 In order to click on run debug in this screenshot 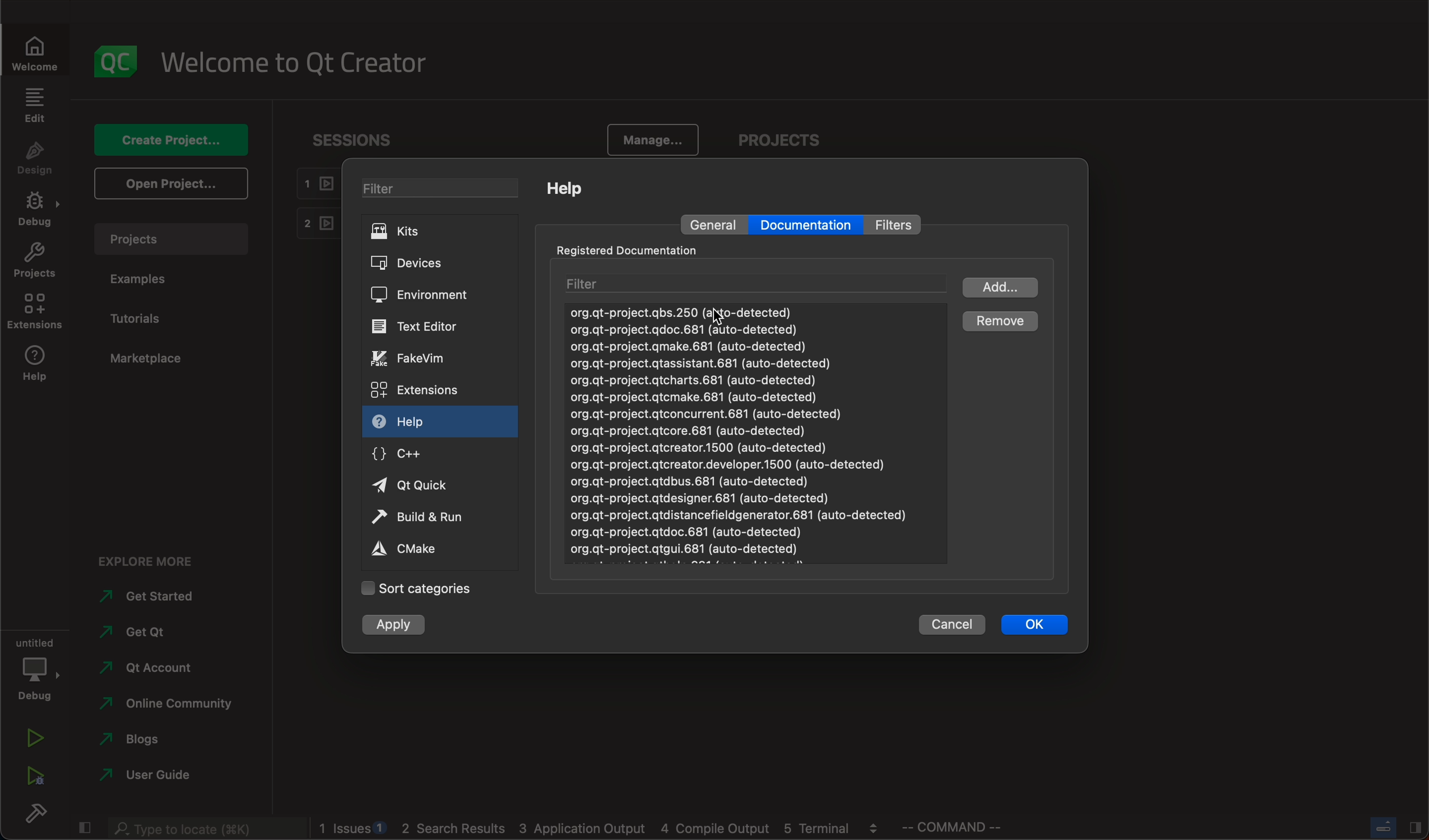, I will do `click(34, 776)`.